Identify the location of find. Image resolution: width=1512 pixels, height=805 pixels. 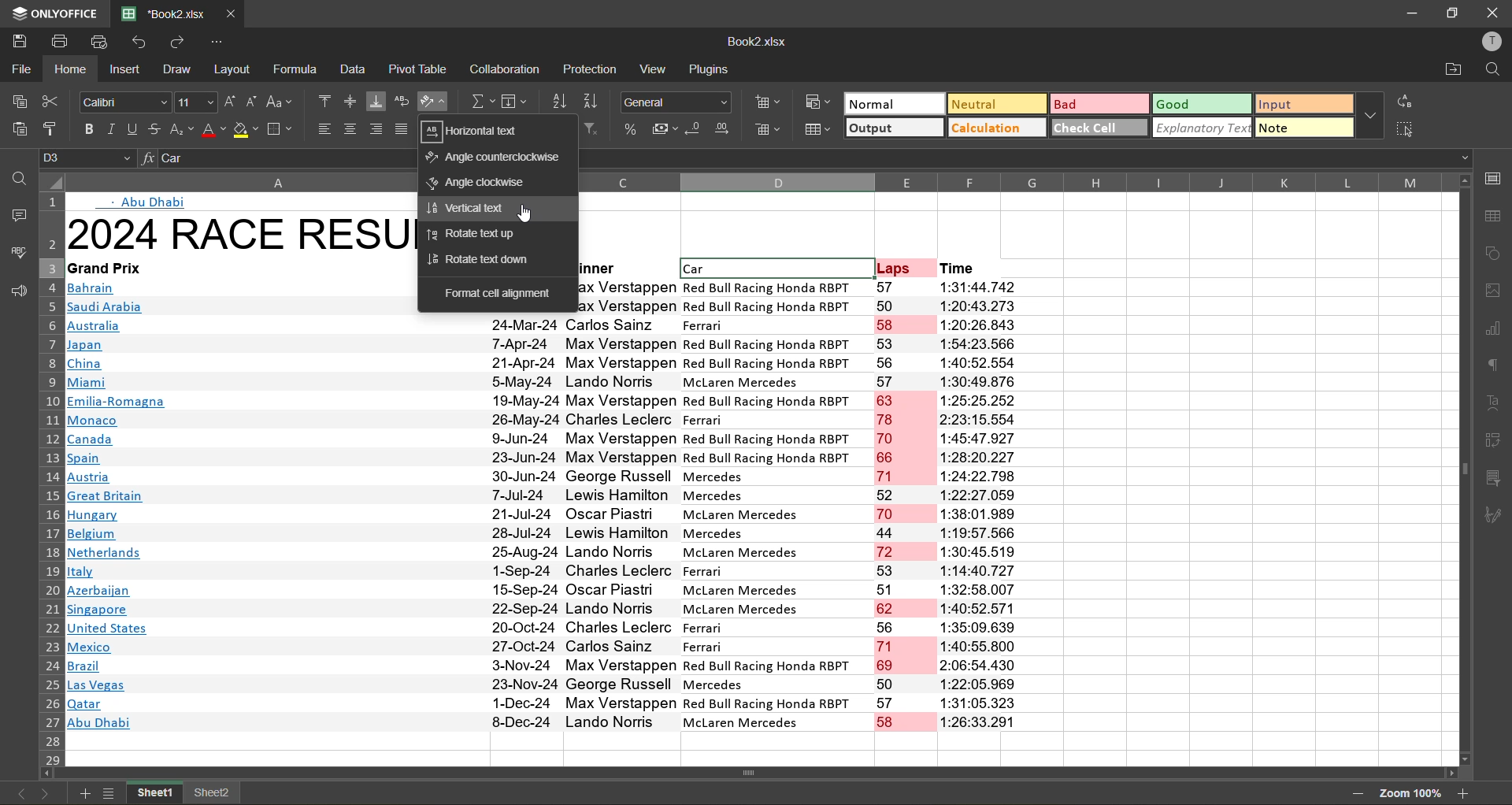
(24, 182).